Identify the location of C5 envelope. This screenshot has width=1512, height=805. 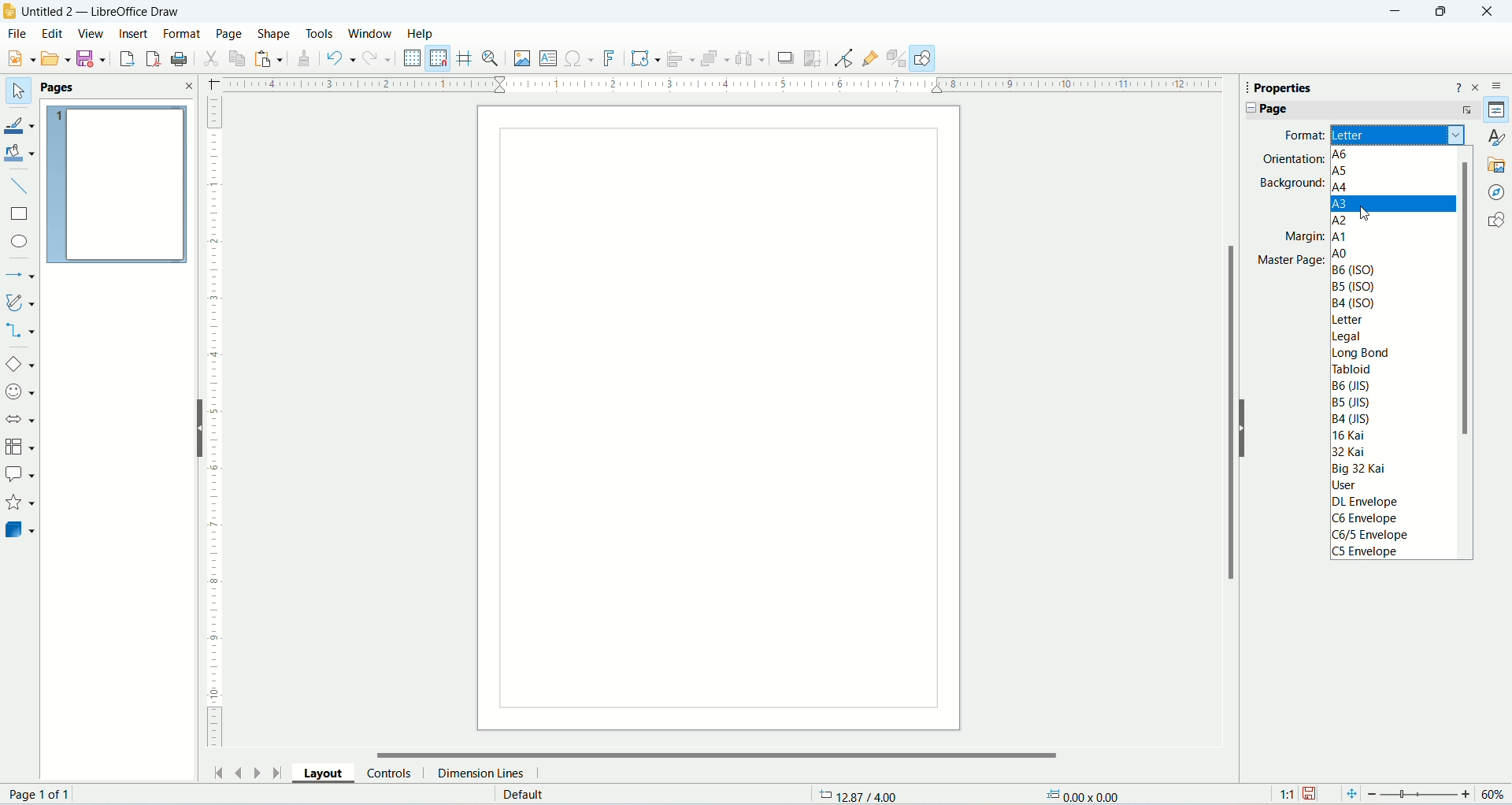
(1367, 551).